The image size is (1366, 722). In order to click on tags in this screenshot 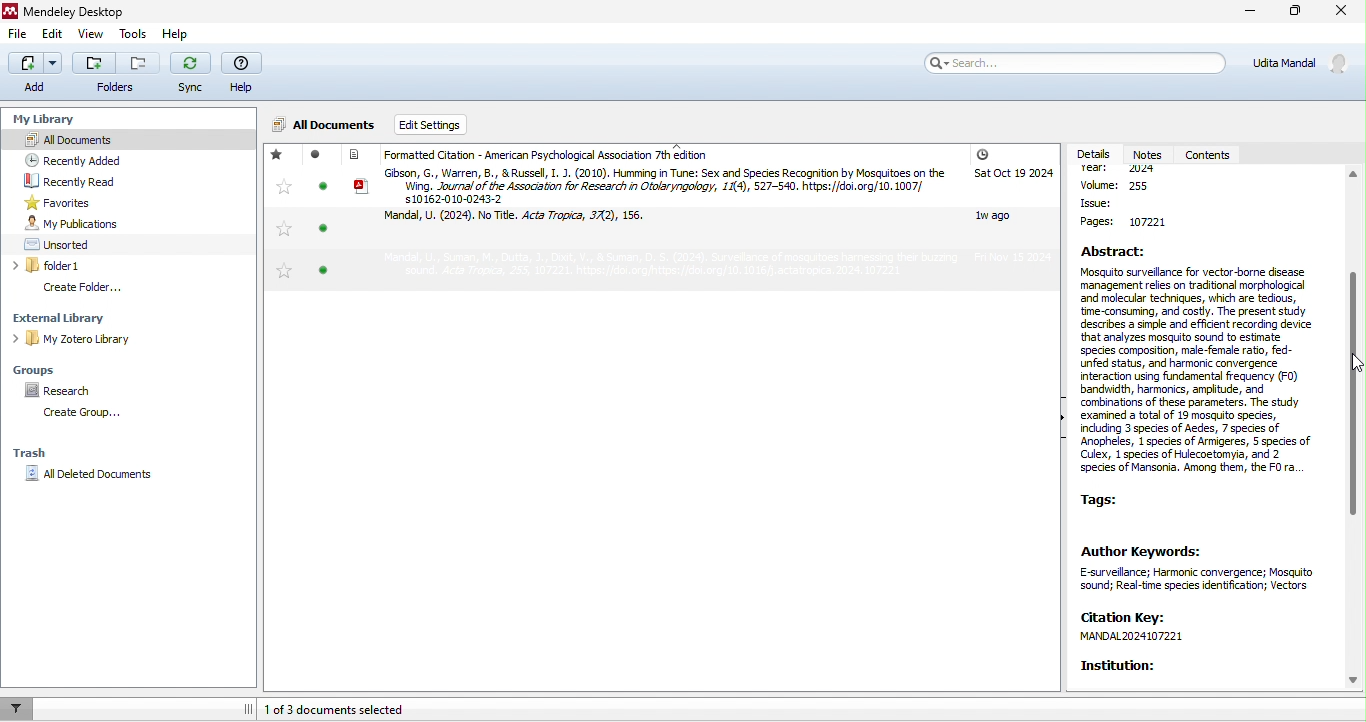, I will do `click(1112, 503)`.